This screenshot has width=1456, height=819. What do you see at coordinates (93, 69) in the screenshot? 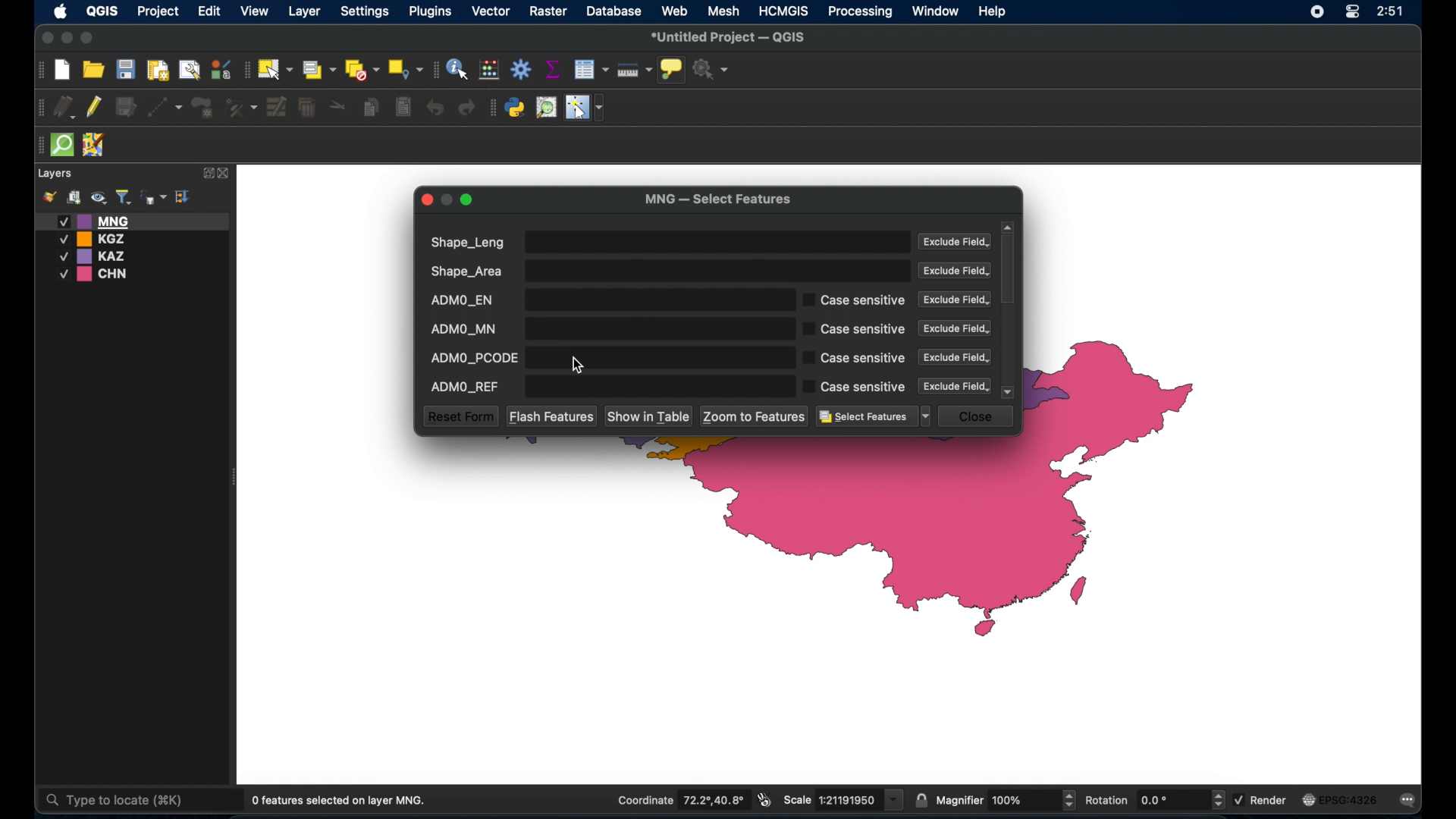
I see `open project` at bounding box center [93, 69].